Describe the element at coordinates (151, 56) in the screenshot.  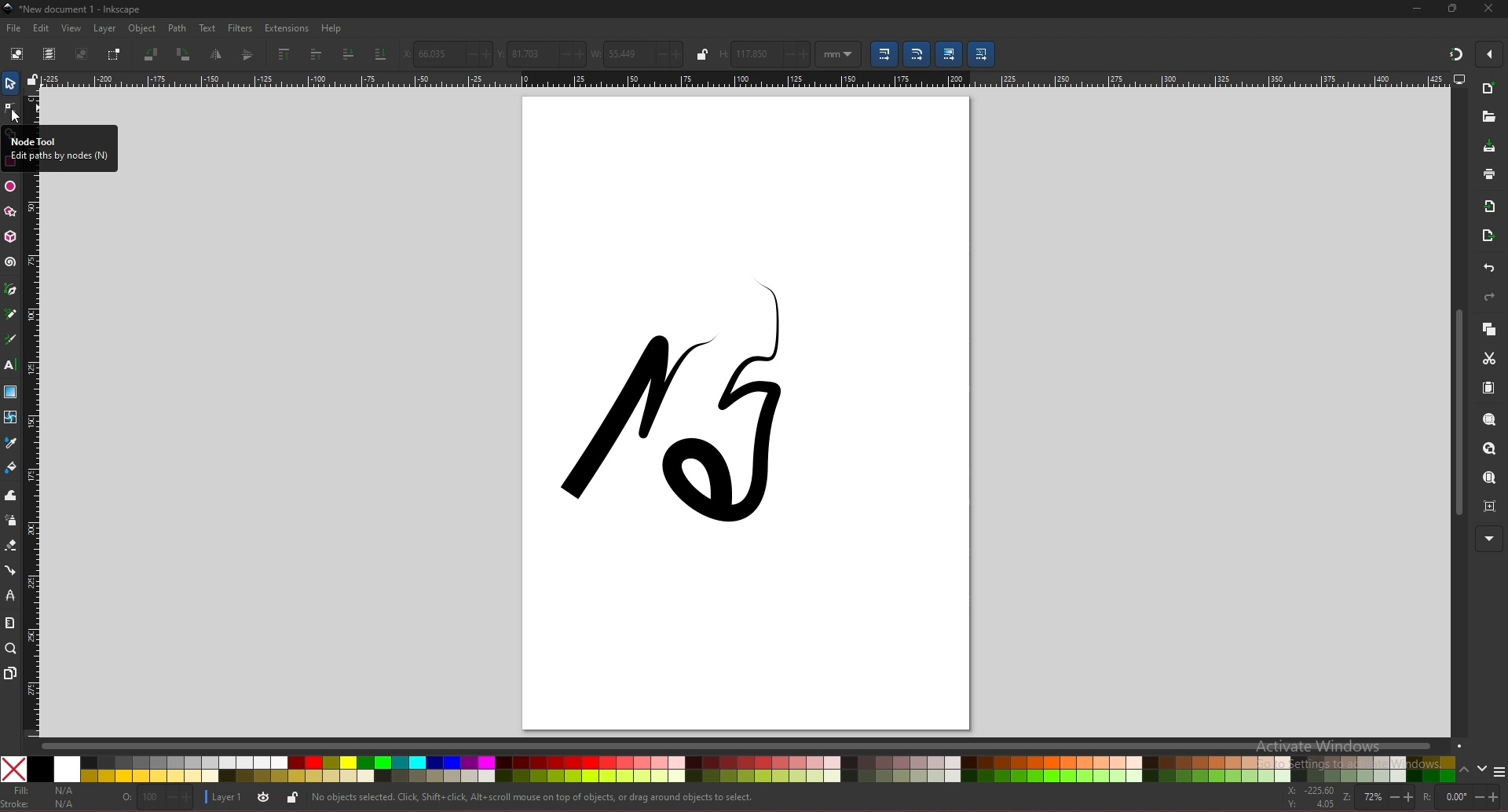
I see `rotate 90 degree ccw` at that location.